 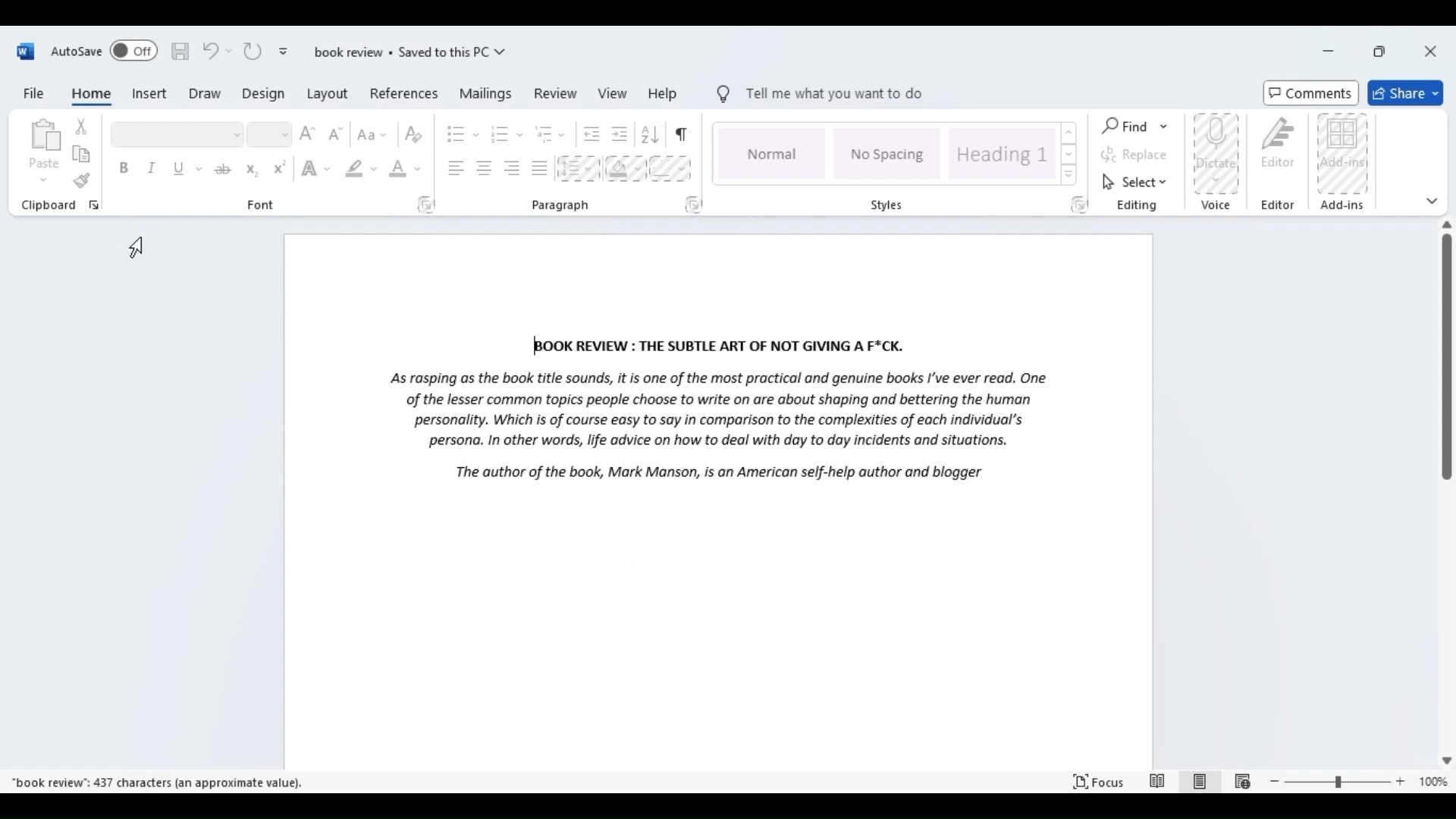 What do you see at coordinates (570, 165) in the screenshot?
I see `paragraph` at bounding box center [570, 165].